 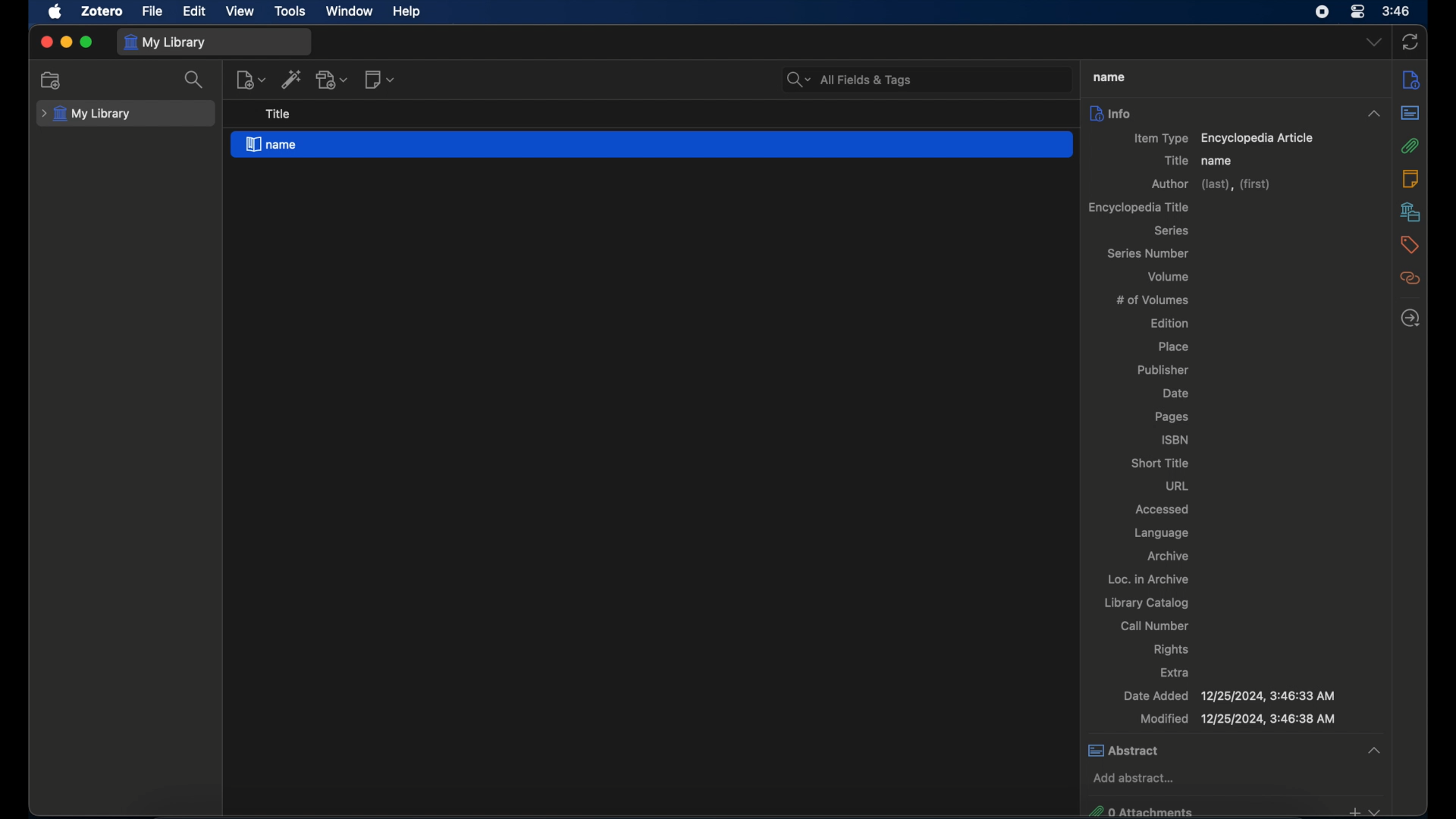 I want to click on url, so click(x=1178, y=485).